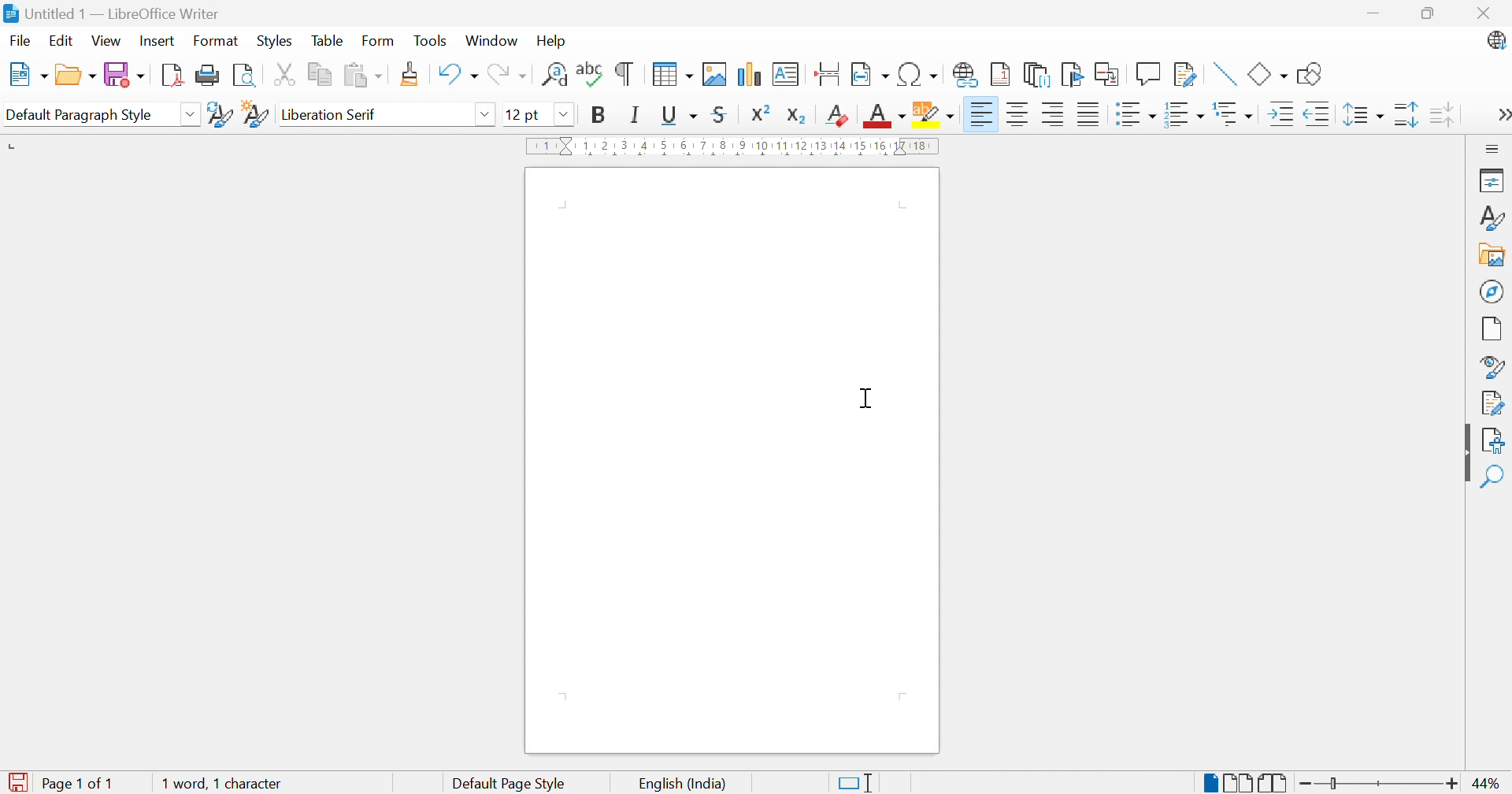 Image resolution: width=1512 pixels, height=794 pixels. Describe the element at coordinates (212, 76) in the screenshot. I see `Print` at that location.